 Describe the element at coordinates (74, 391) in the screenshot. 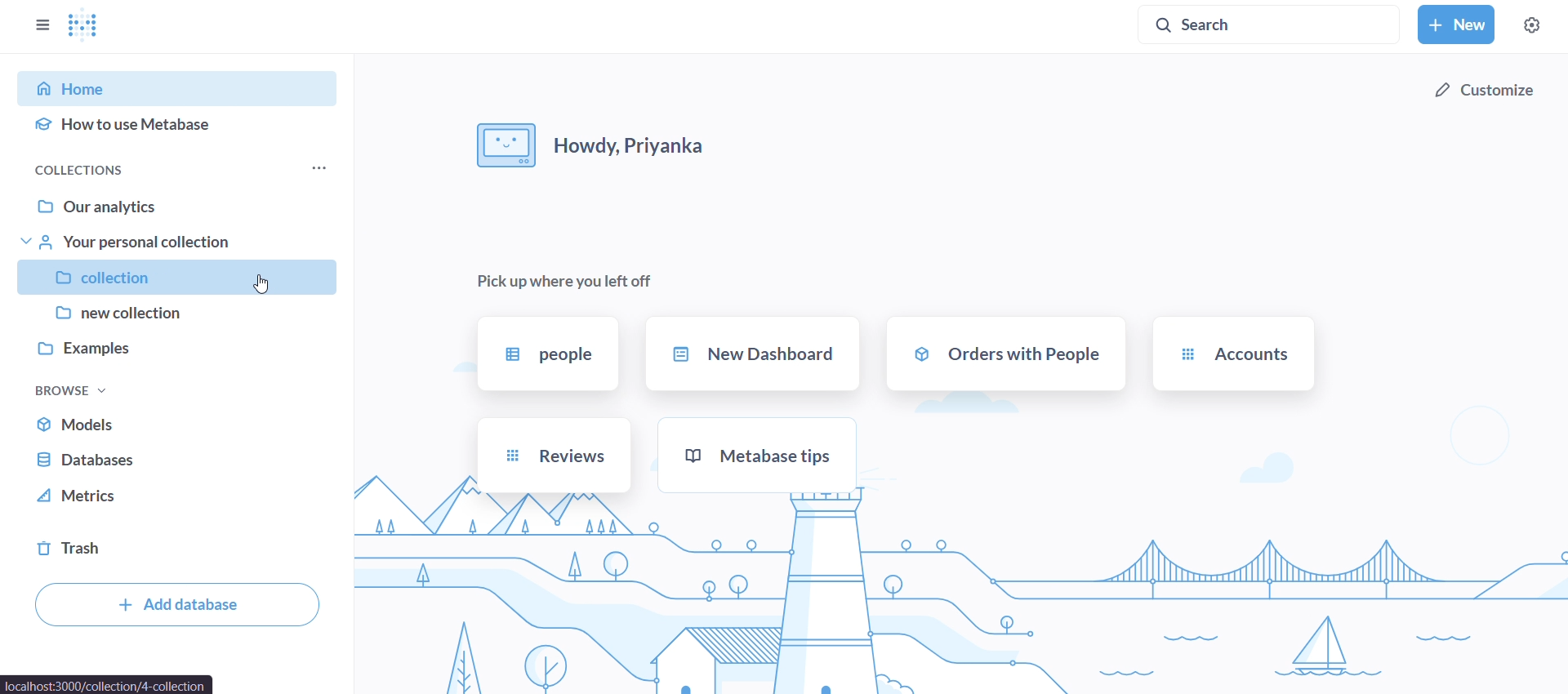

I see `browse` at that location.